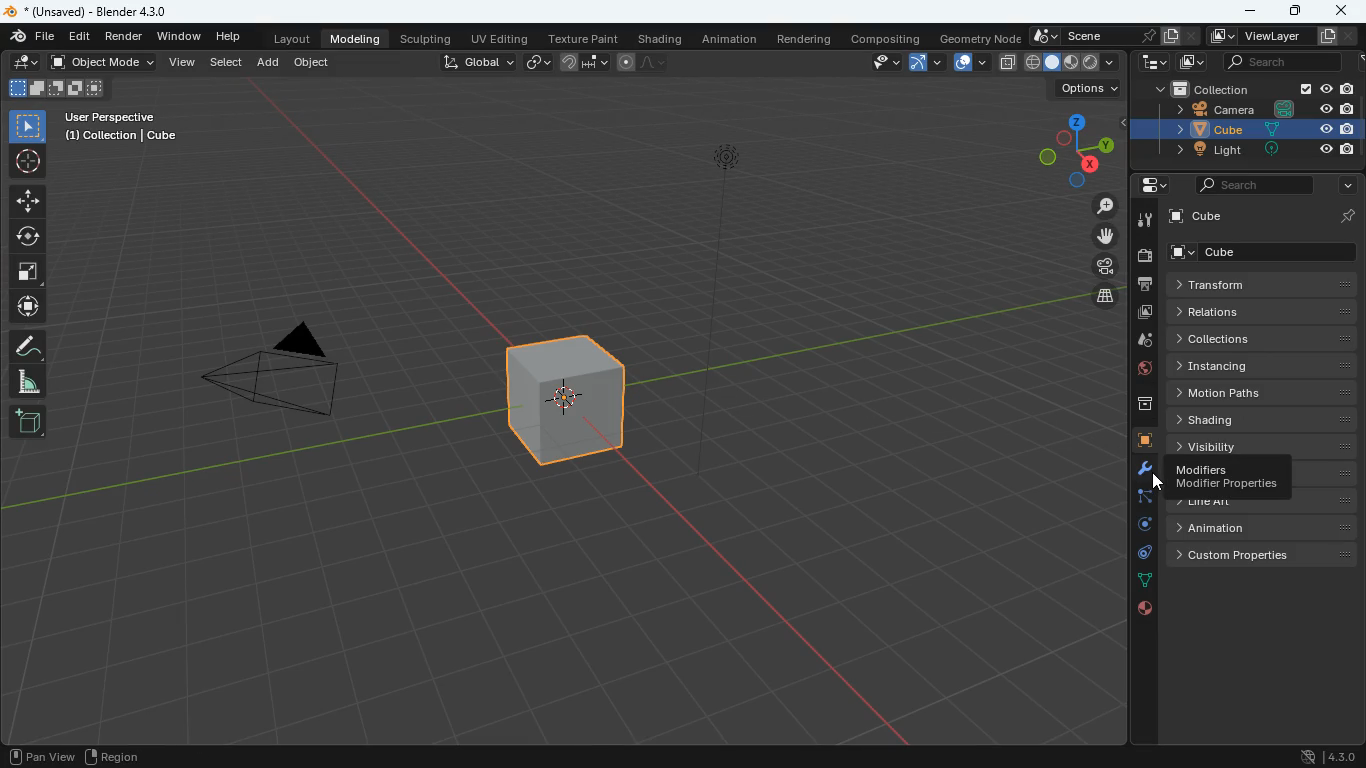 The width and height of the screenshot is (1366, 768). Describe the element at coordinates (1227, 479) in the screenshot. I see `modifiers` at that location.